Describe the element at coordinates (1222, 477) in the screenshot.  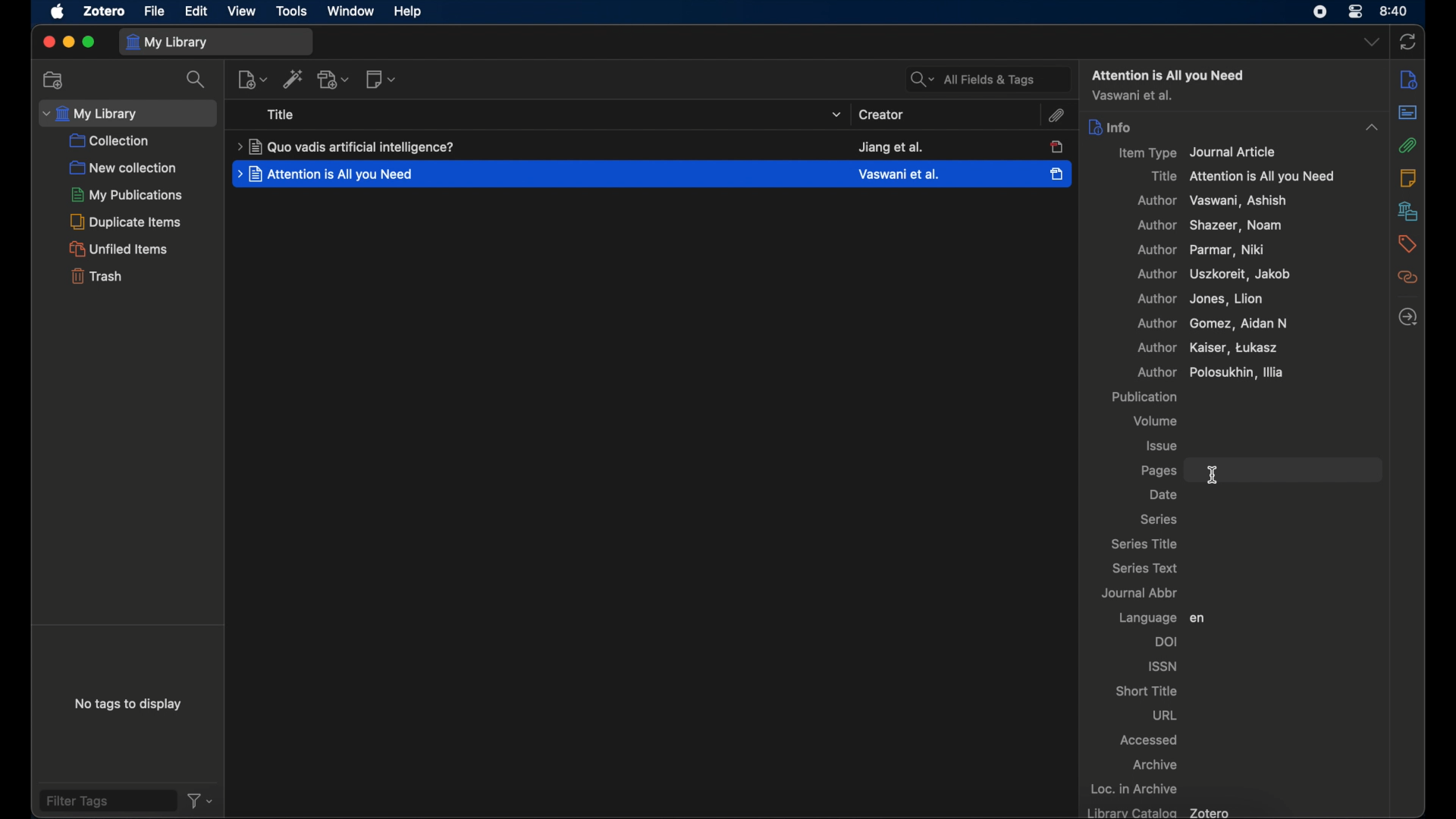
I see `text cursor` at that location.